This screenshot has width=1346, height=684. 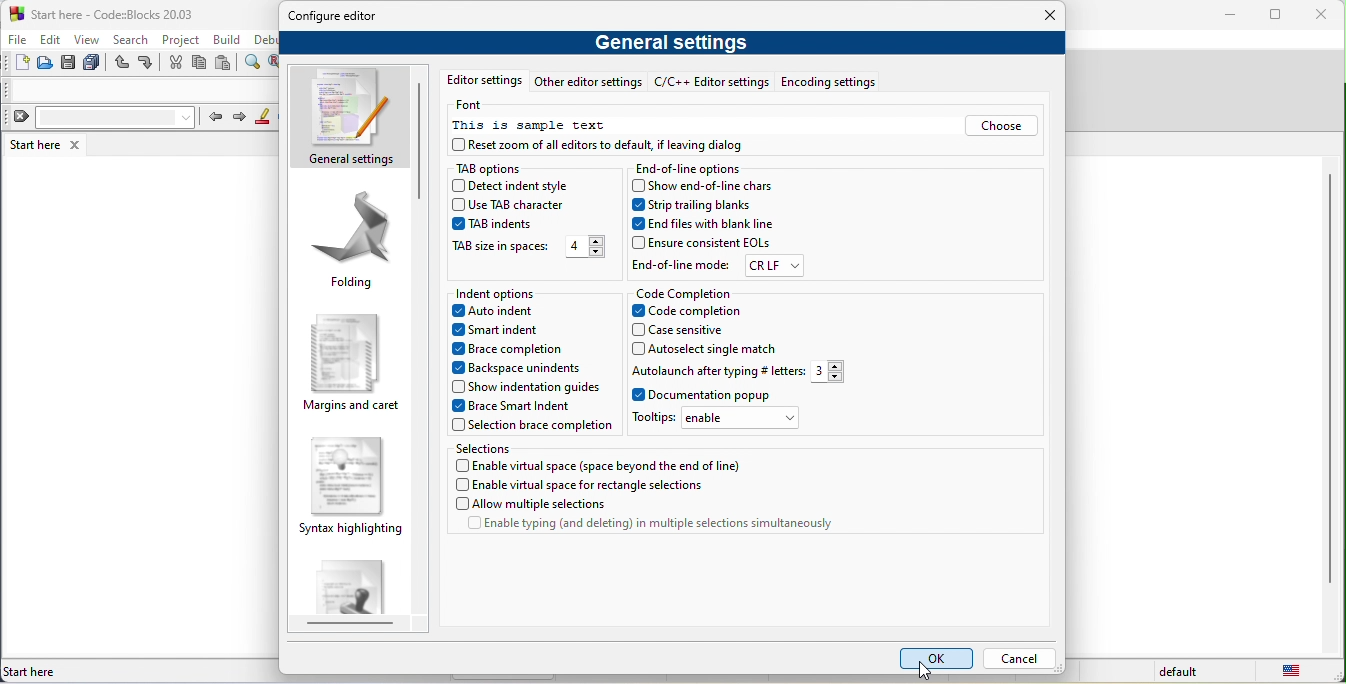 I want to click on font, so click(x=474, y=107).